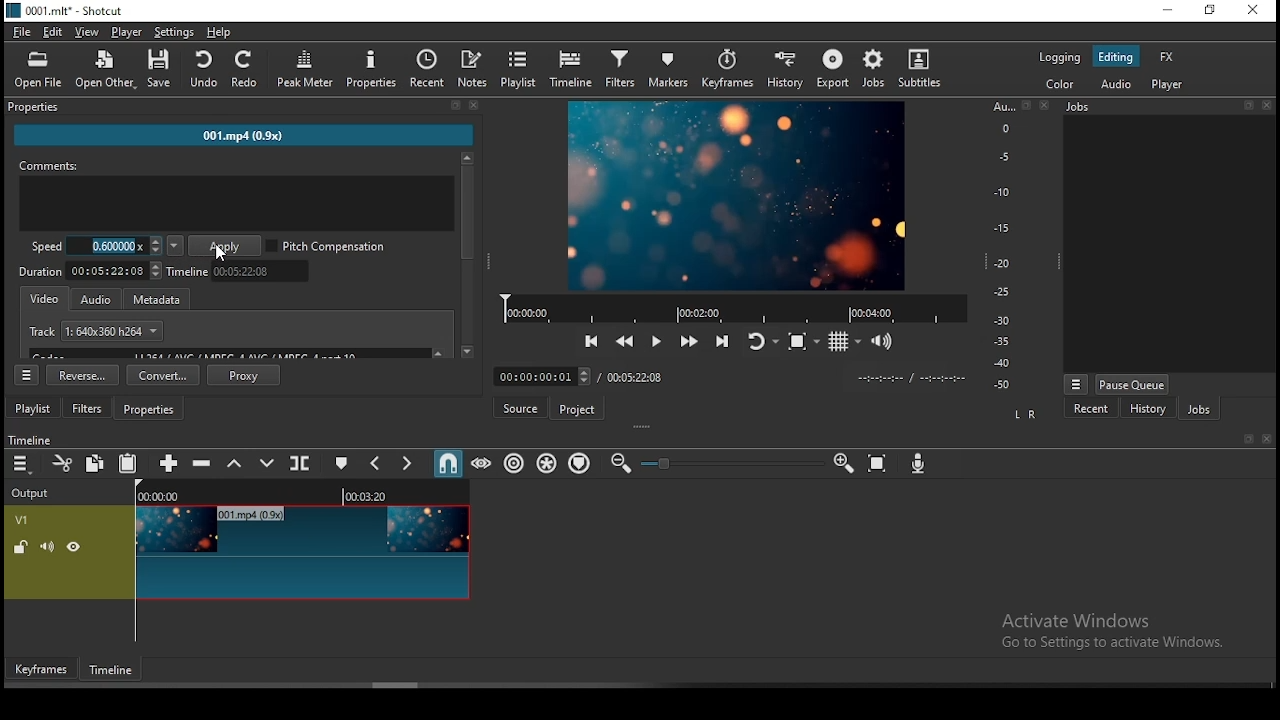 The width and height of the screenshot is (1280, 720). I want to click on video track, so click(302, 552).